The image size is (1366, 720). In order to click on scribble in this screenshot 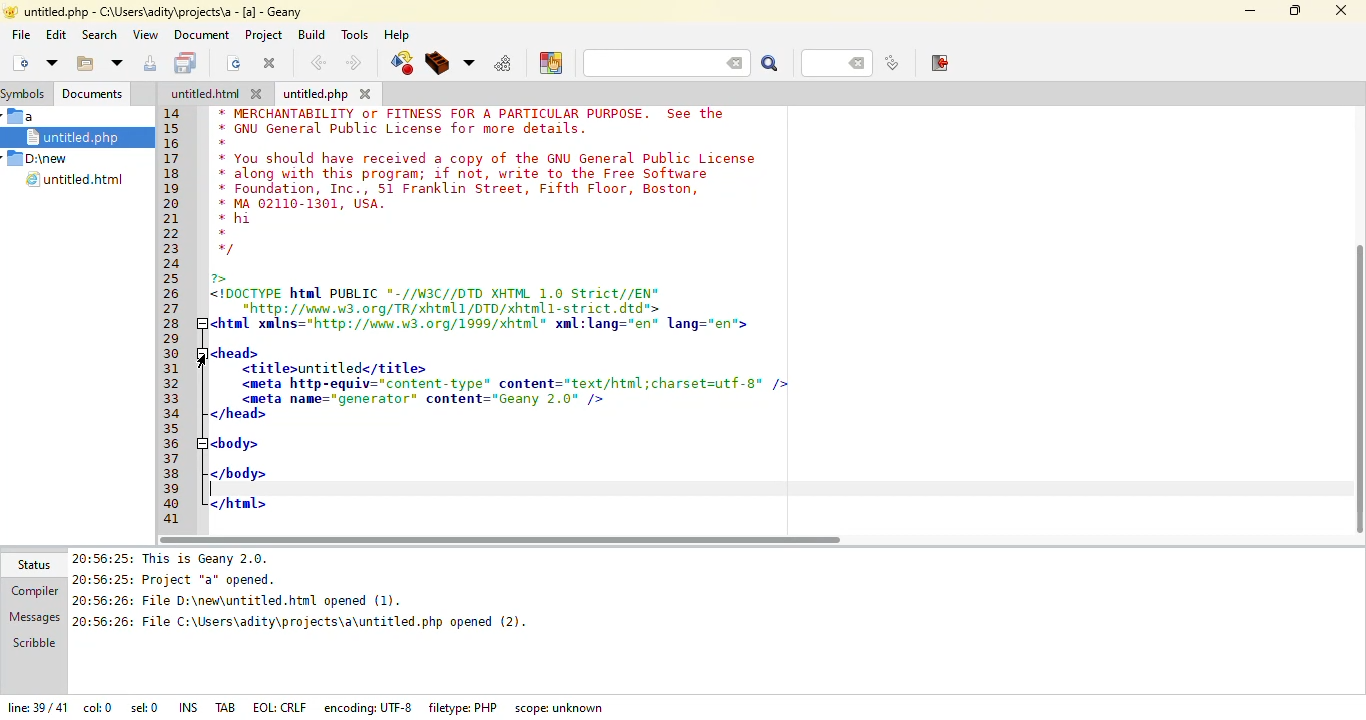, I will do `click(34, 643)`.